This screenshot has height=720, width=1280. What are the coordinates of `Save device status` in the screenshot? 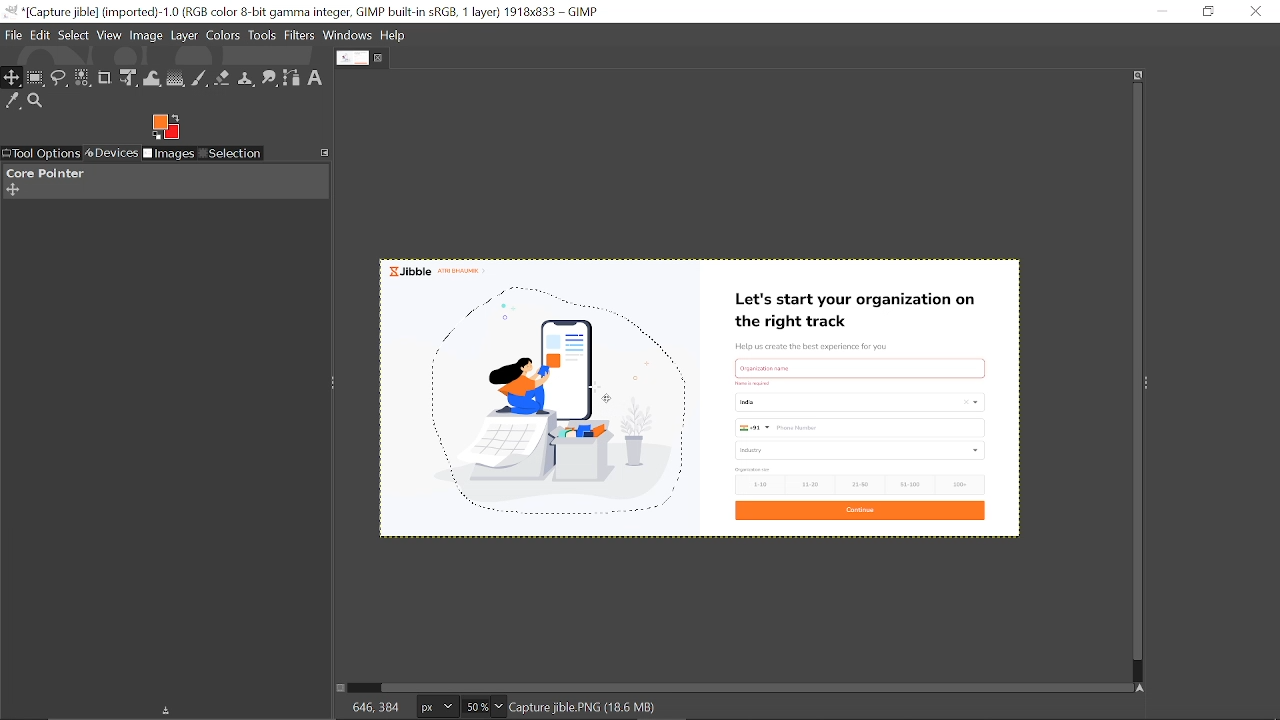 It's located at (170, 712).